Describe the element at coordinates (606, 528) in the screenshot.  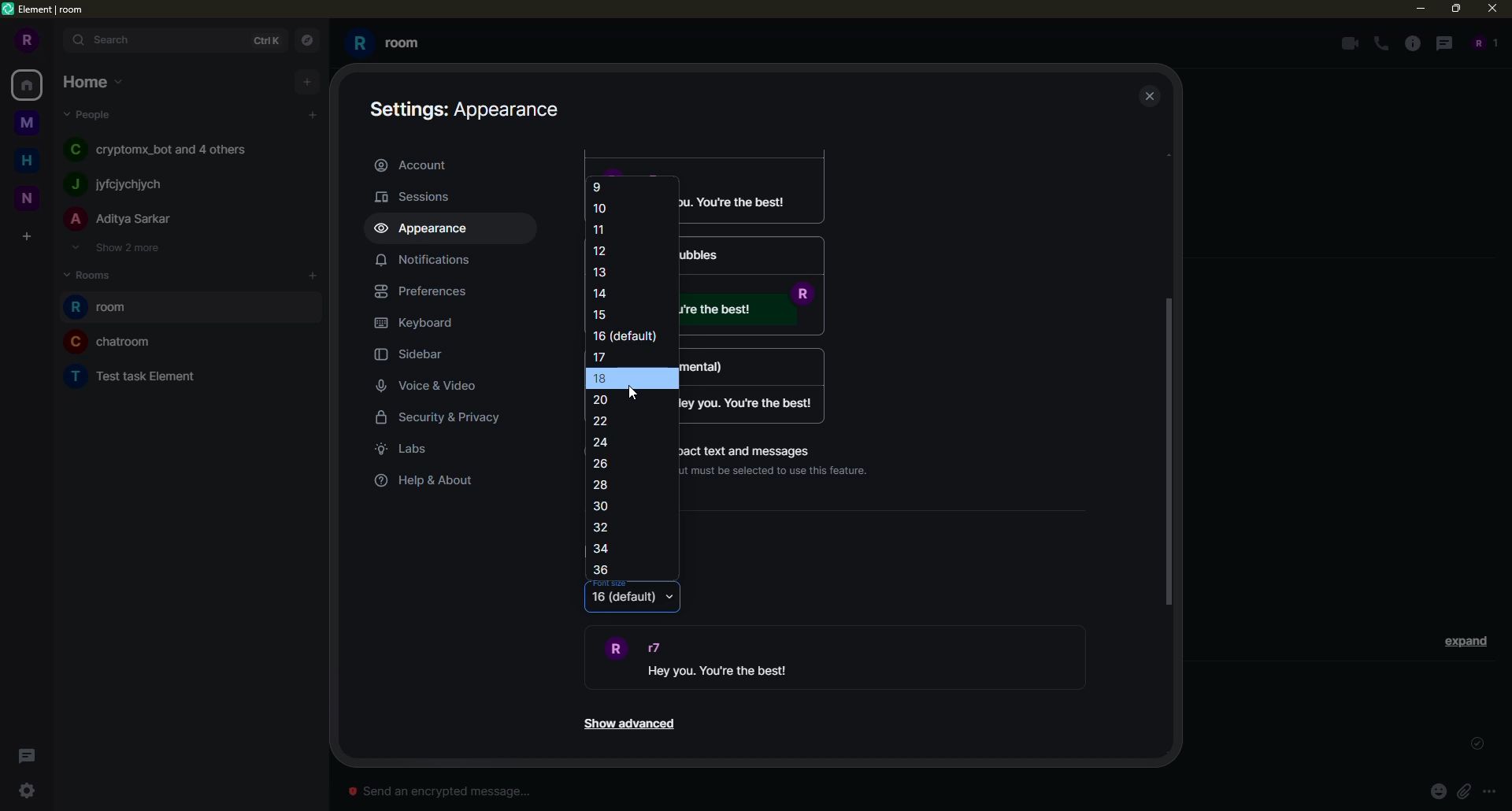
I see `32` at that location.